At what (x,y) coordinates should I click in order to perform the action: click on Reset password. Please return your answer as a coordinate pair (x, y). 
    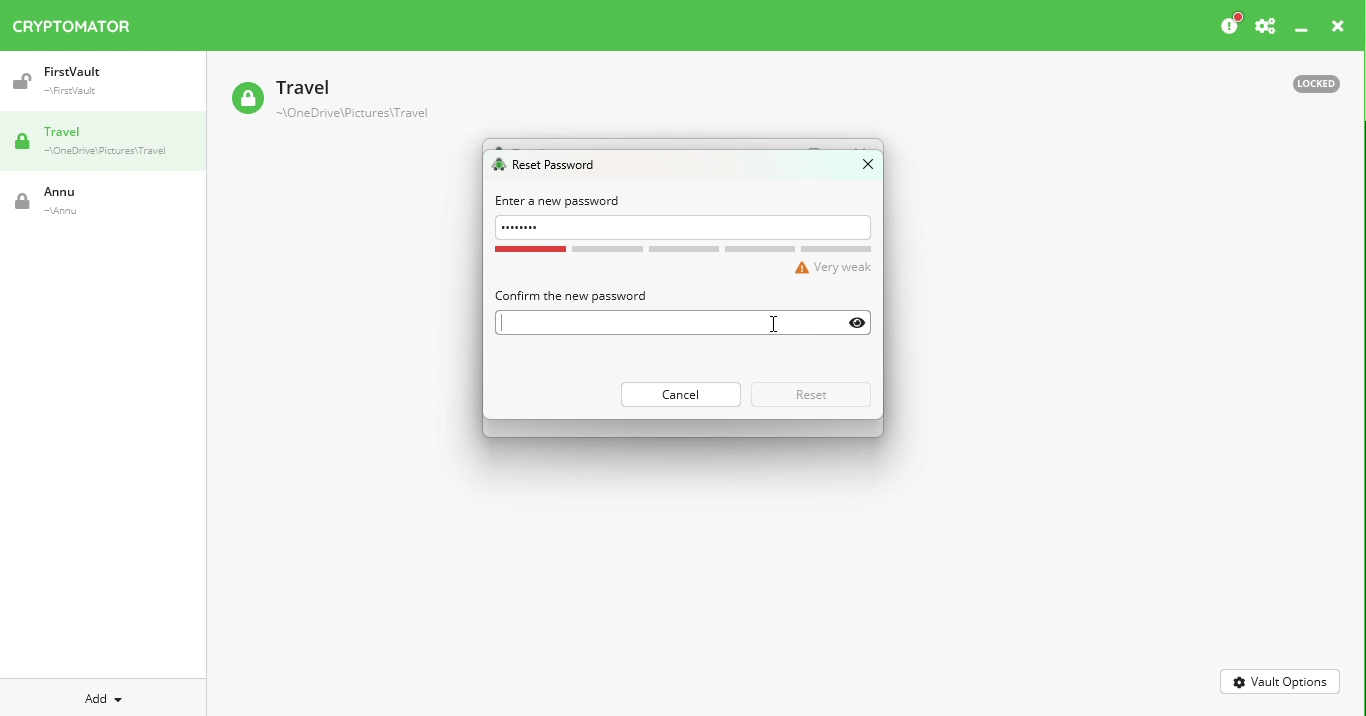
    Looking at the image, I should click on (549, 166).